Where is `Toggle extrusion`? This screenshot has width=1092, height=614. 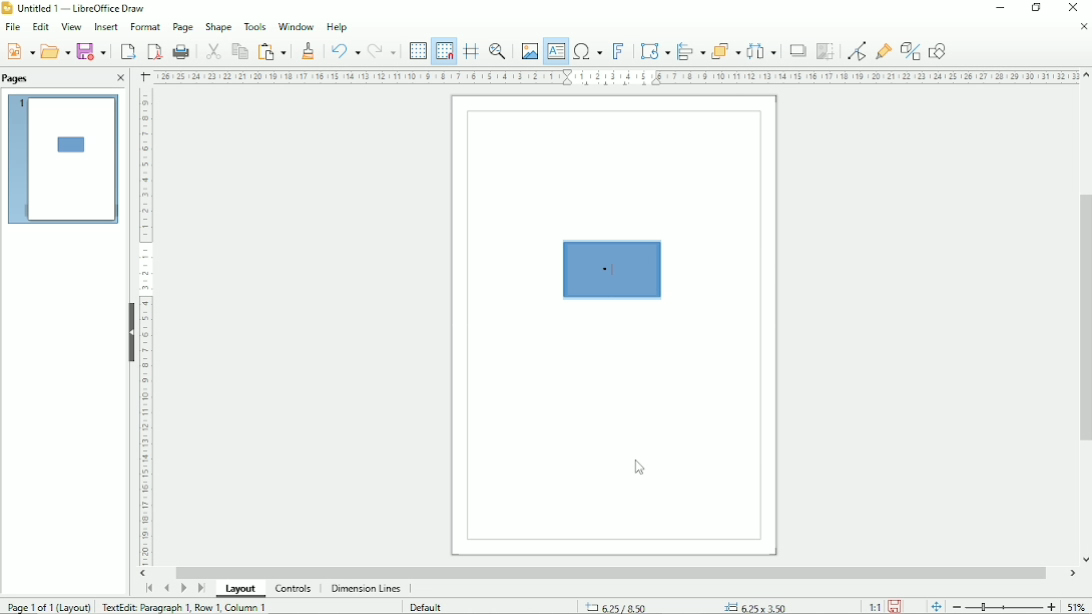
Toggle extrusion is located at coordinates (911, 50).